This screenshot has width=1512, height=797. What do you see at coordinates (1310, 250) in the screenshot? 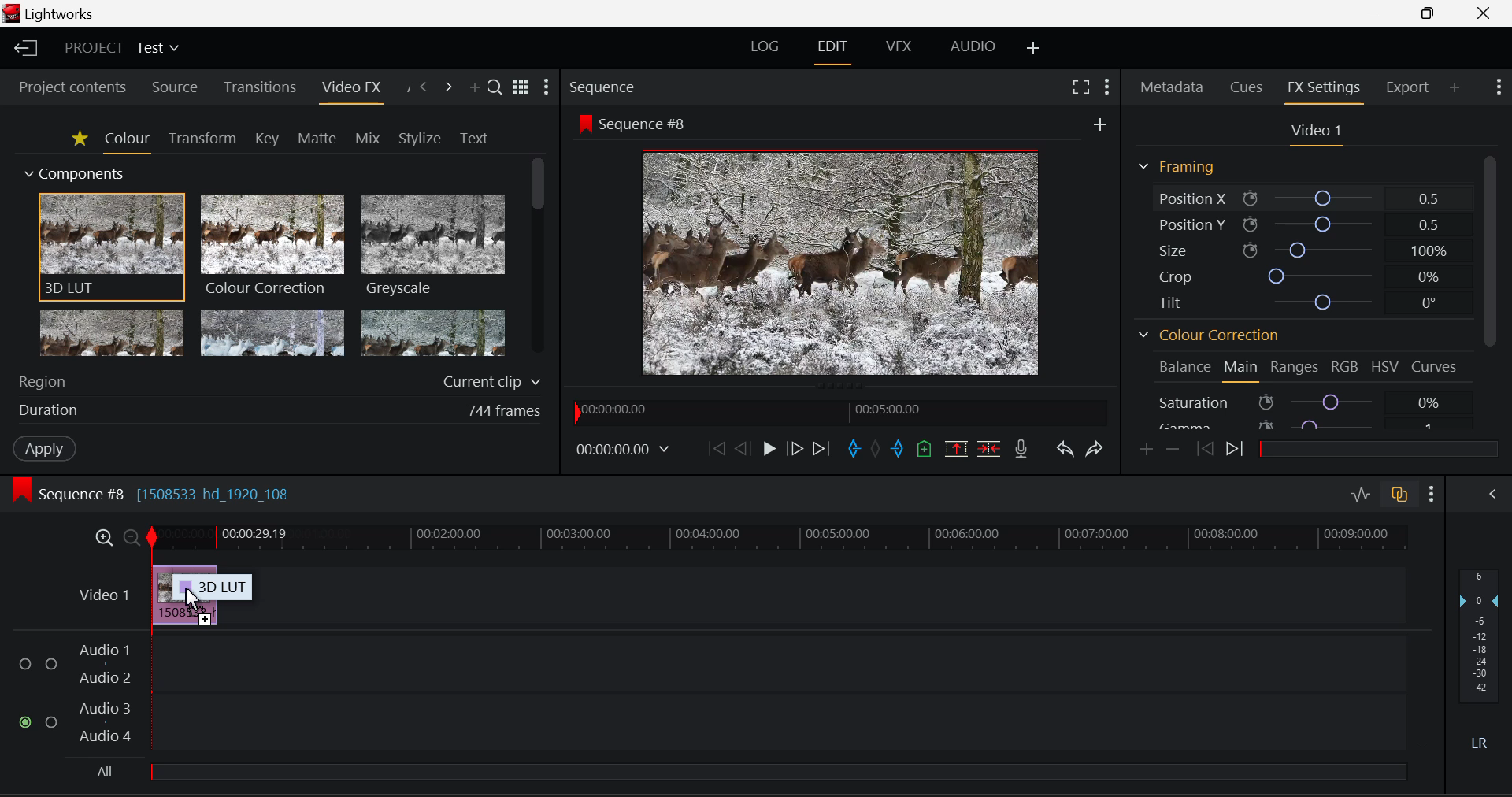
I see `Size` at bounding box center [1310, 250].